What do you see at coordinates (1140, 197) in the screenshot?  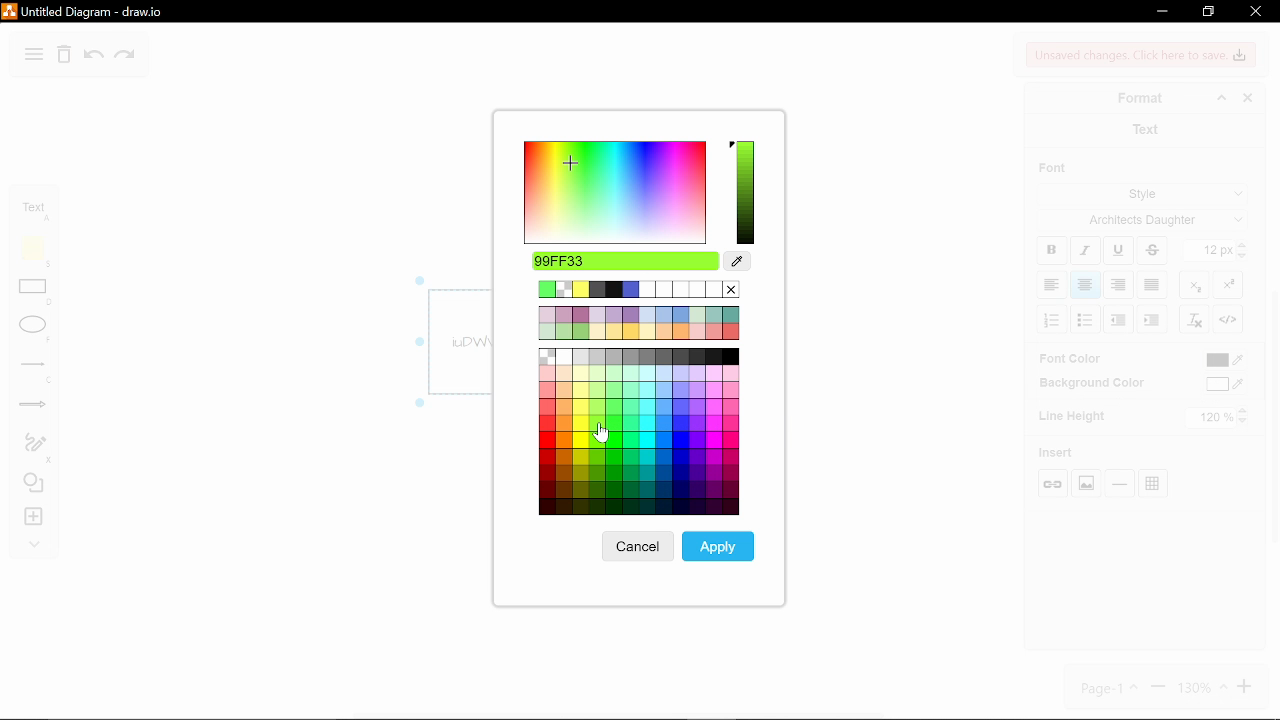 I see `style` at bounding box center [1140, 197].